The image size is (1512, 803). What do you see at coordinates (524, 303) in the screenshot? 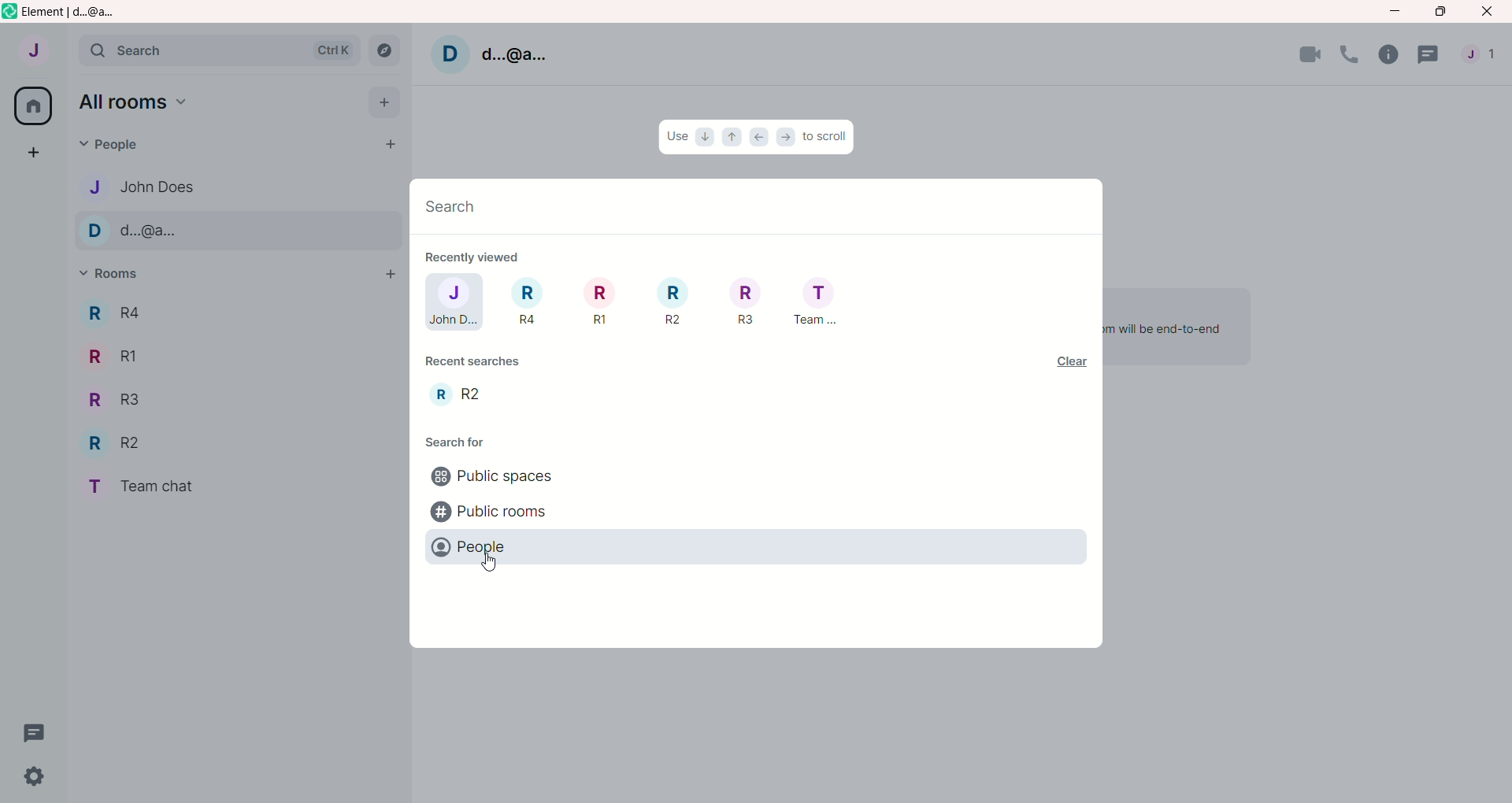
I see `recent user r4` at bounding box center [524, 303].